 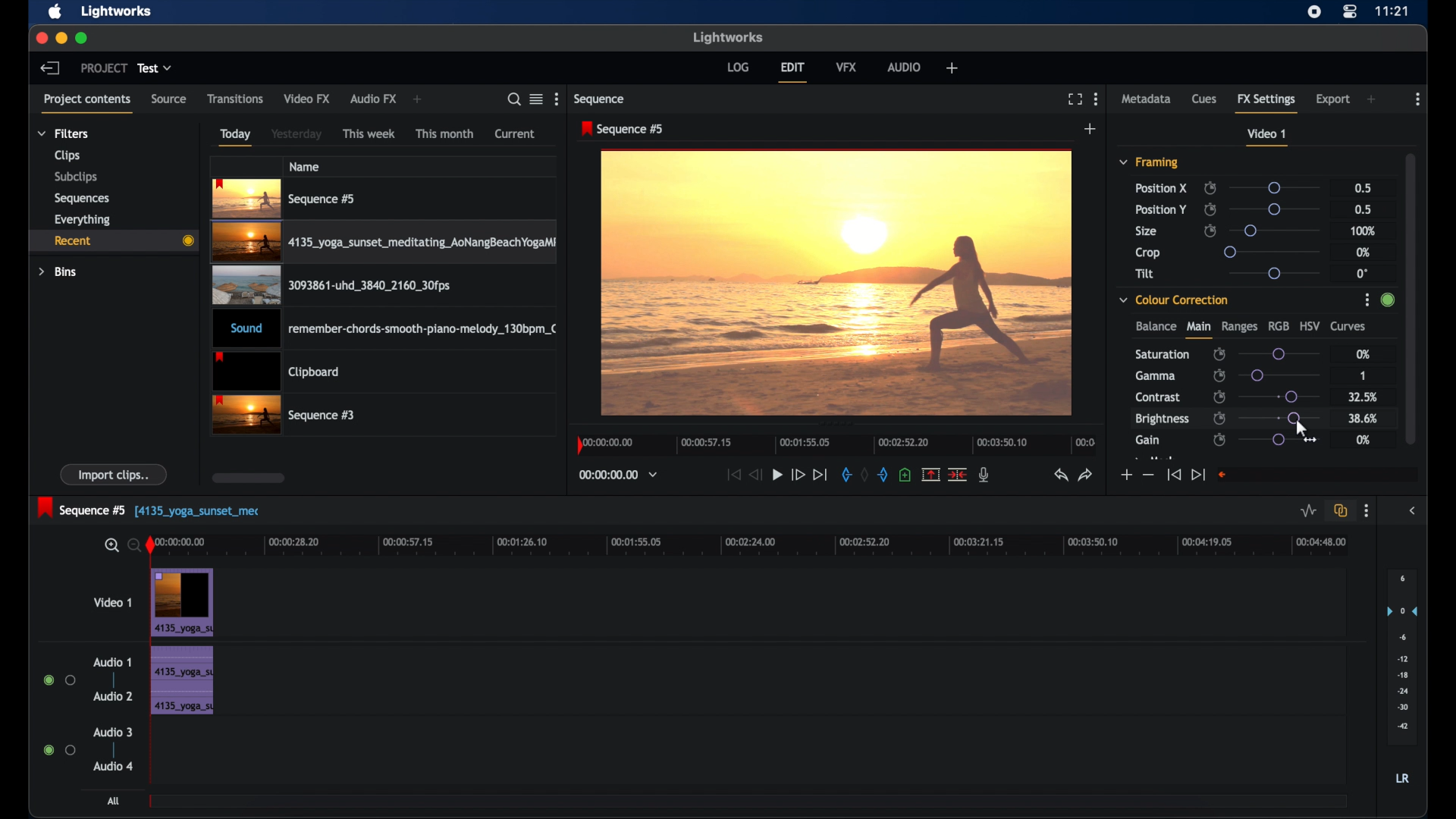 I want to click on 38.6%, so click(x=1361, y=419).